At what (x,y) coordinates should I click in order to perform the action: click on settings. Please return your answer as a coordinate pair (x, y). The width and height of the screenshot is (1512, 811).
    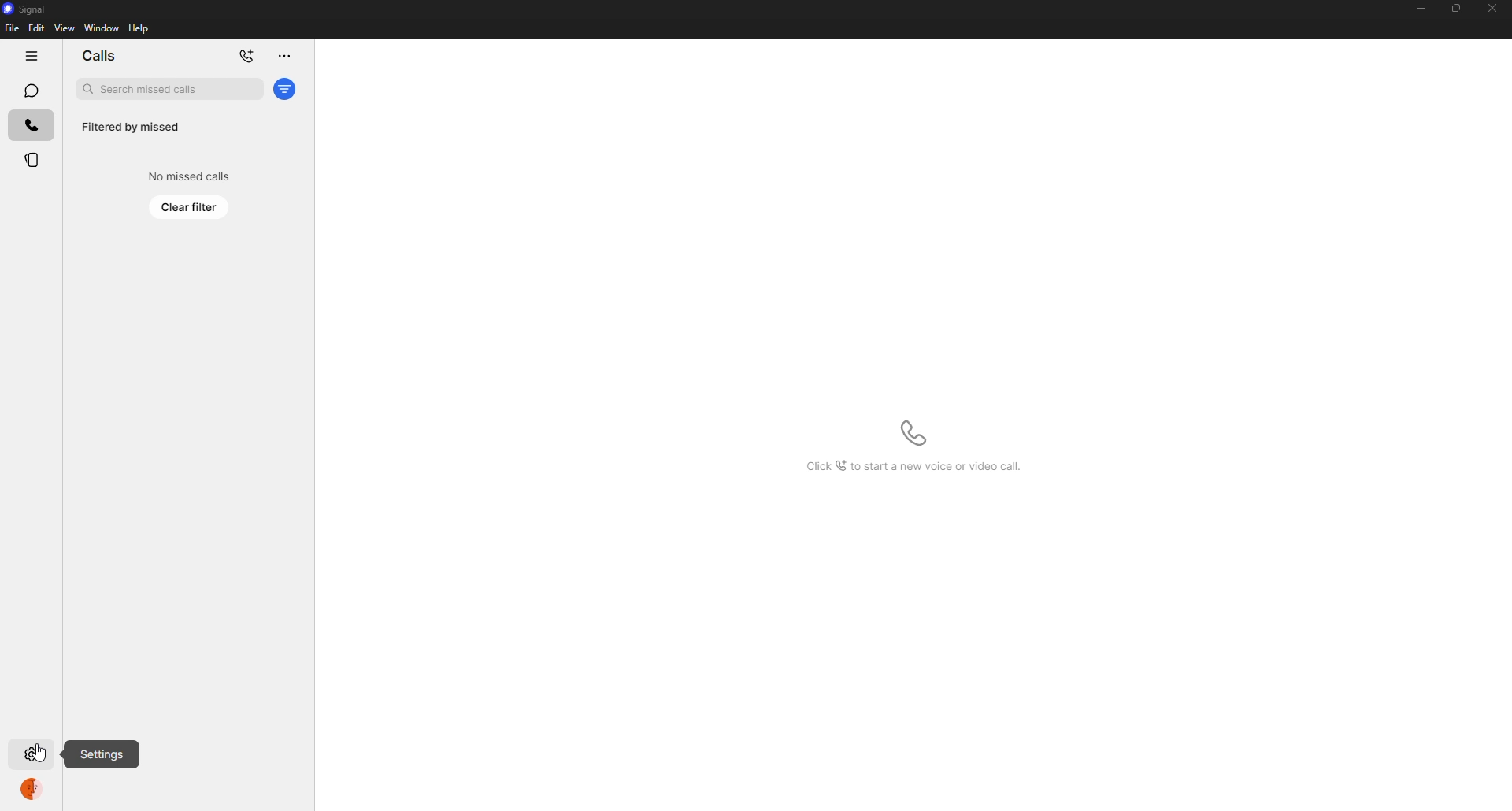
    Looking at the image, I should click on (34, 756).